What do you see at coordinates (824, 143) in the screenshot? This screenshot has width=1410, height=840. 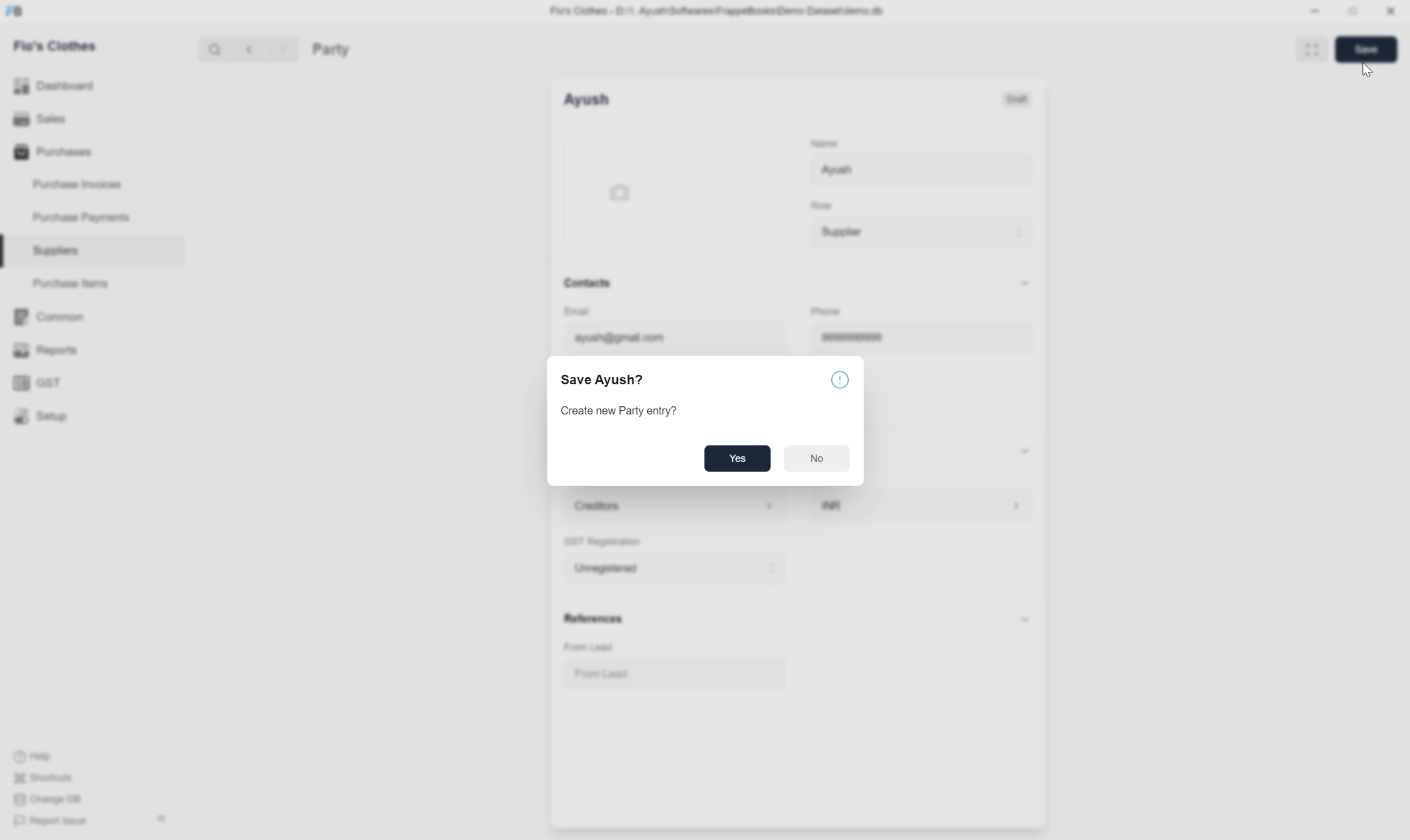 I see `Name` at bounding box center [824, 143].